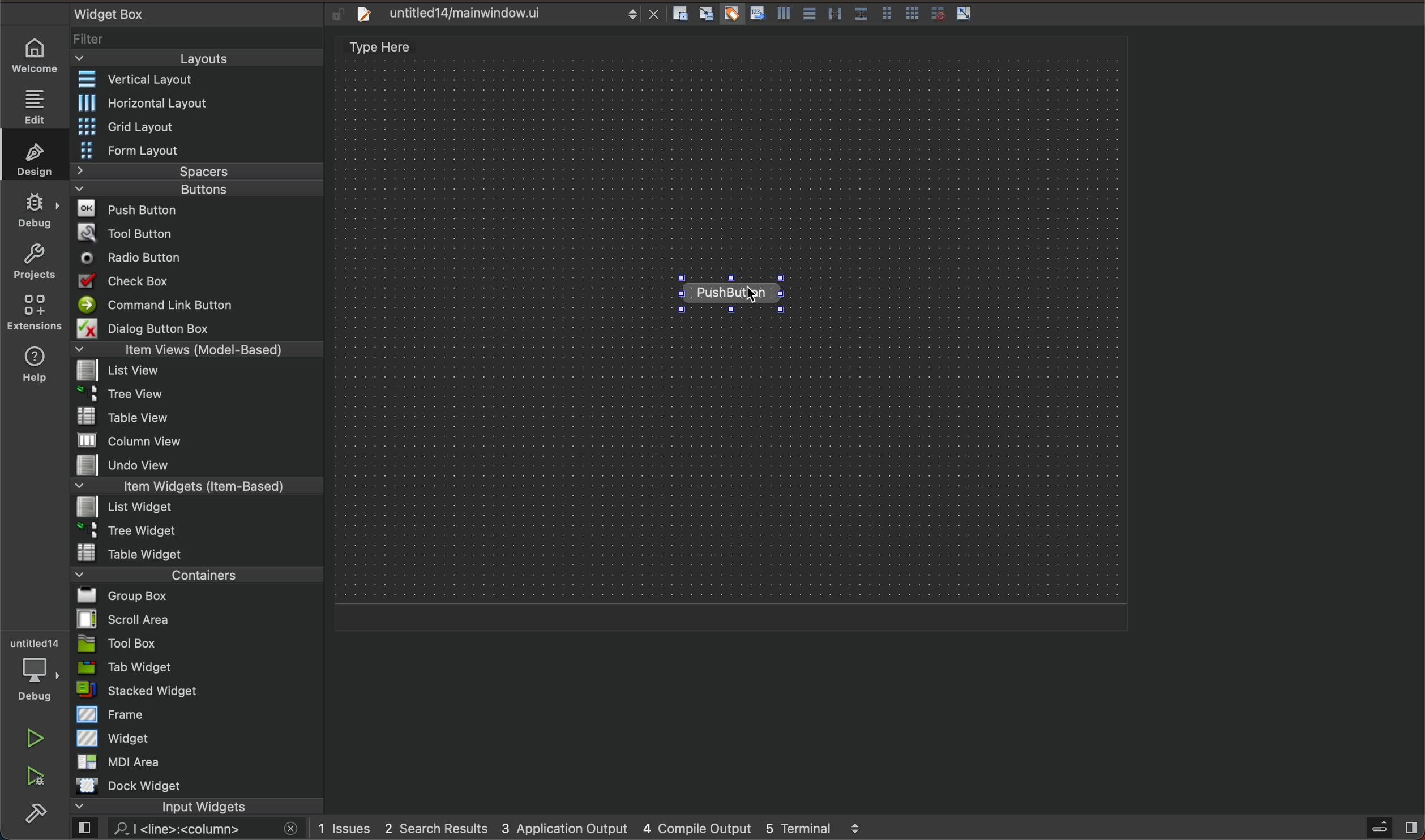 This screenshot has width=1425, height=840. What do you see at coordinates (203, 467) in the screenshot?
I see `undo view` at bounding box center [203, 467].